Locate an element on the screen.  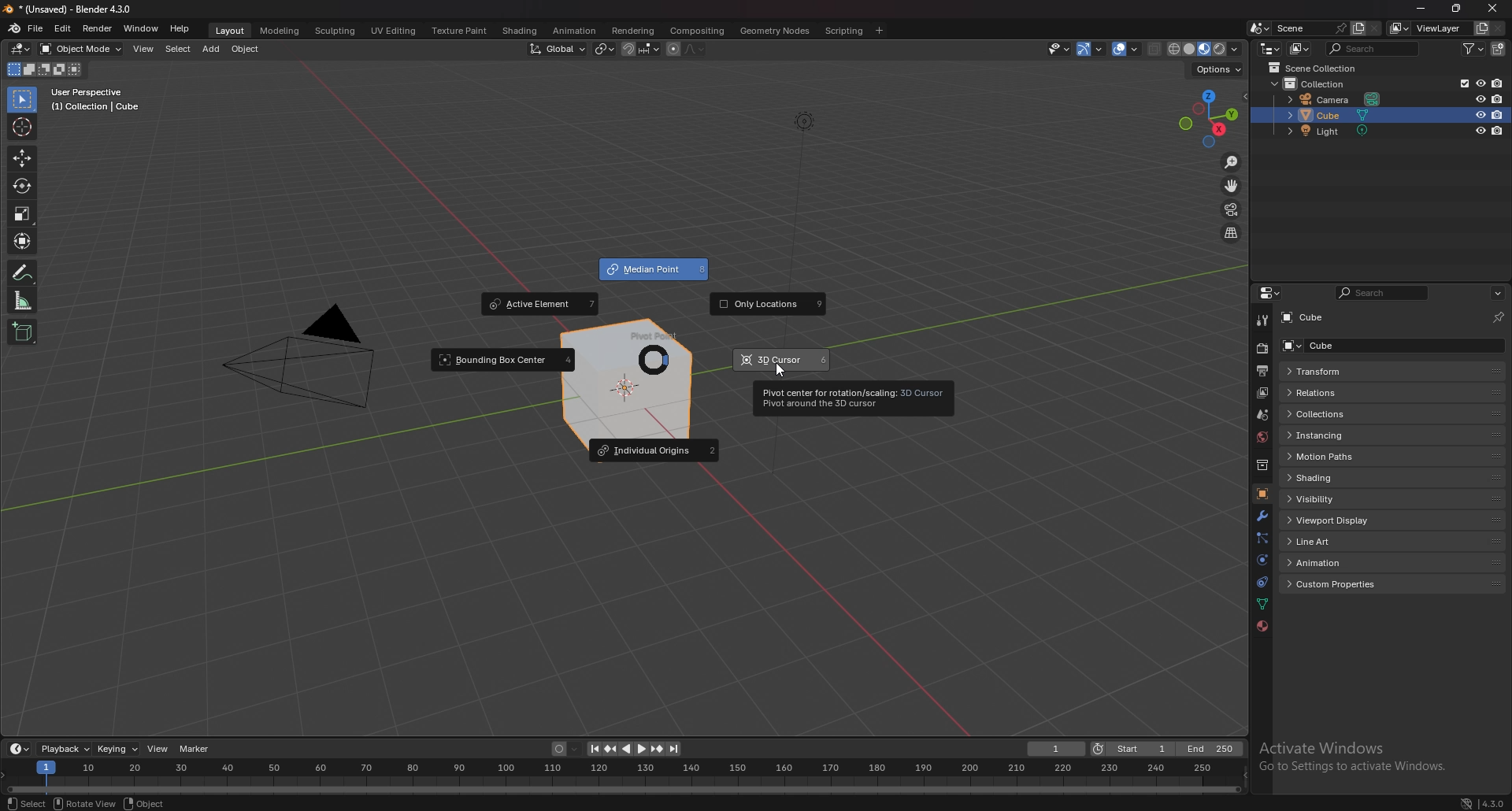
median point is located at coordinates (654, 270).